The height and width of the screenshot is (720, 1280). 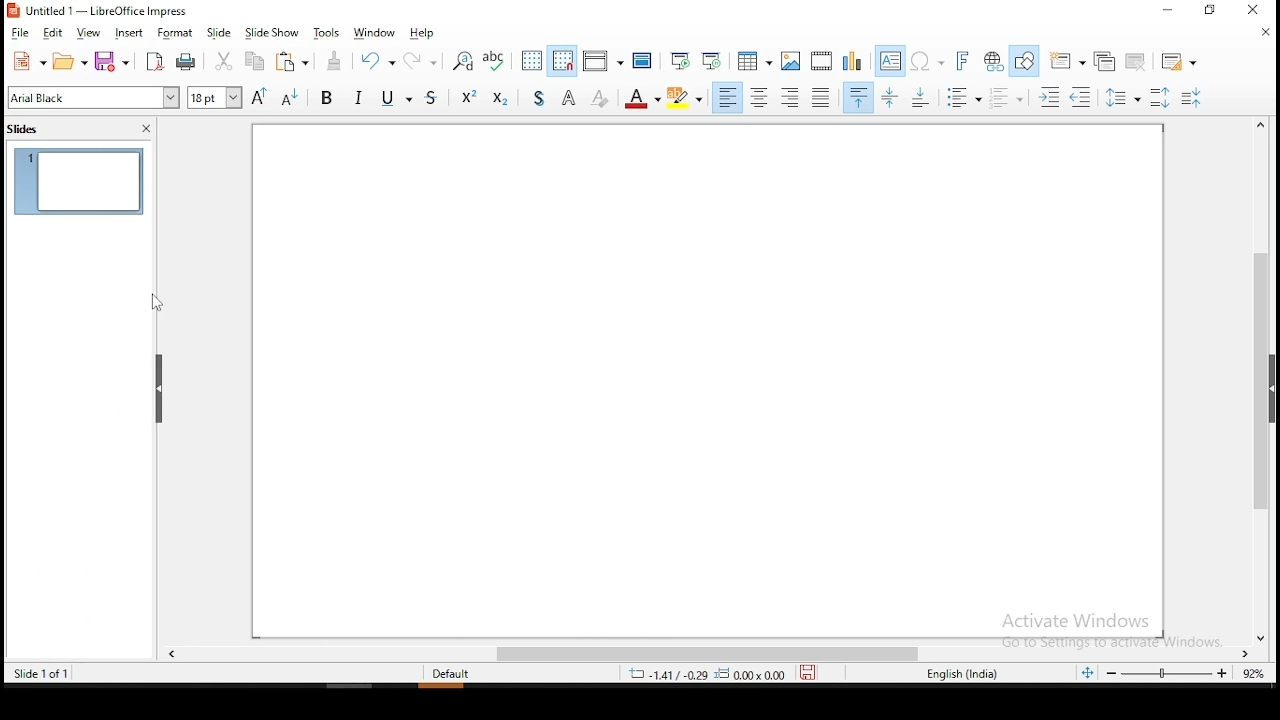 I want to click on insert special characters, so click(x=930, y=60).